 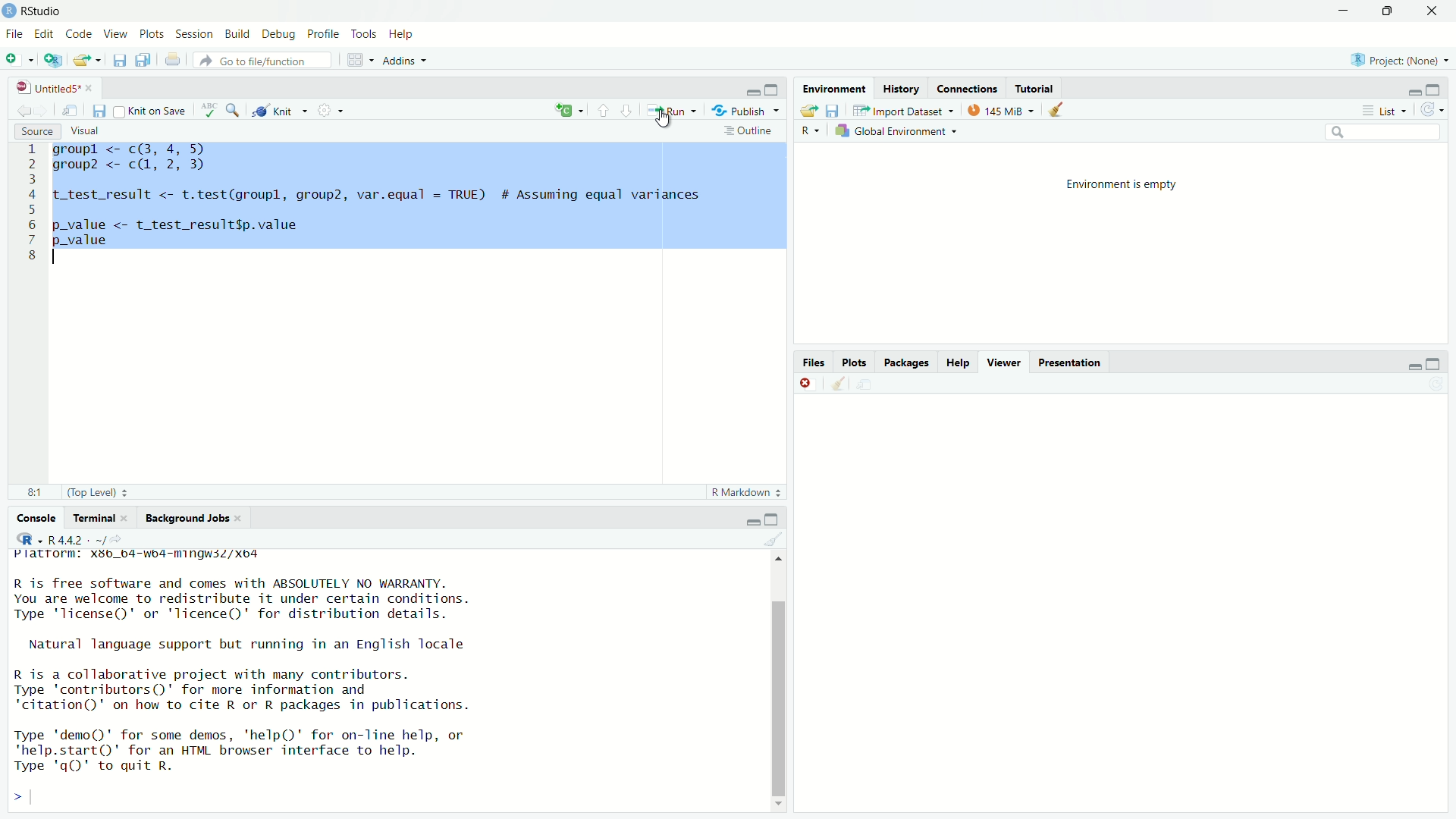 What do you see at coordinates (30, 492) in the screenshot?
I see `8:1` at bounding box center [30, 492].